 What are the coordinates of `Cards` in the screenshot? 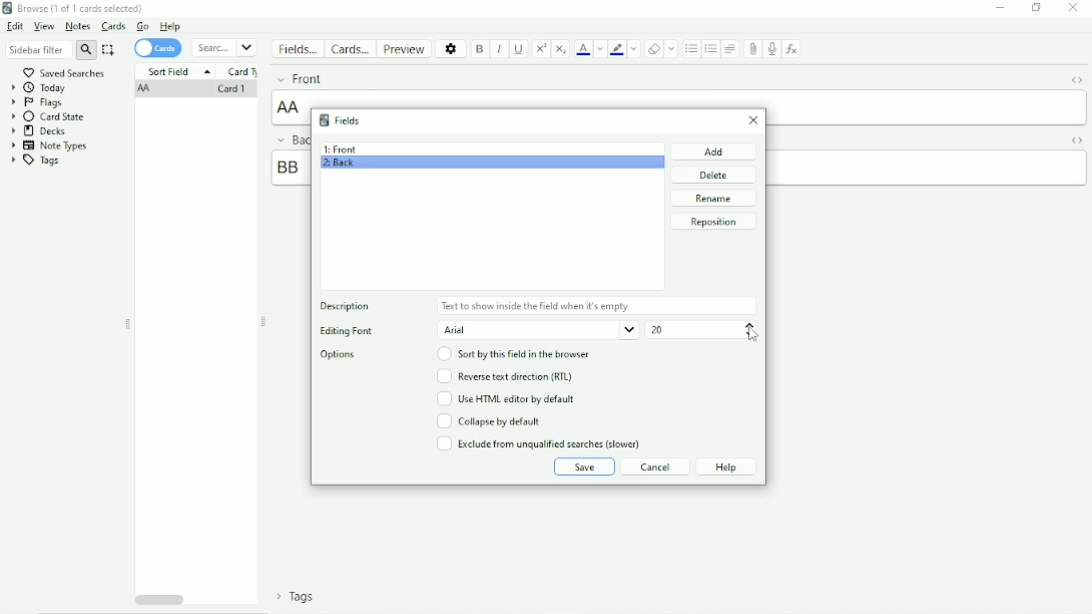 It's located at (349, 48).